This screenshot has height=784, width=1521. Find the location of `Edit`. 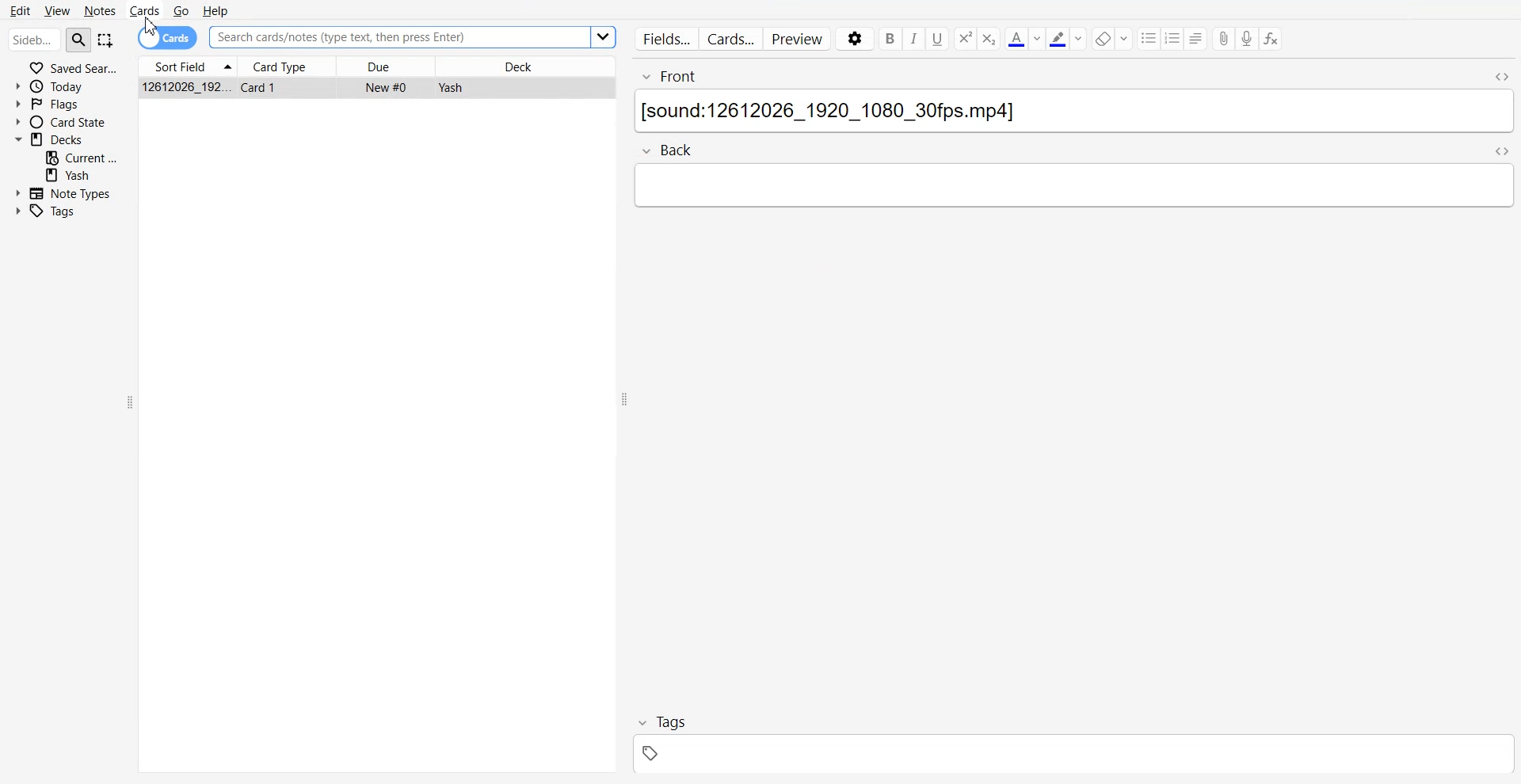

Edit is located at coordinates (21, 9).